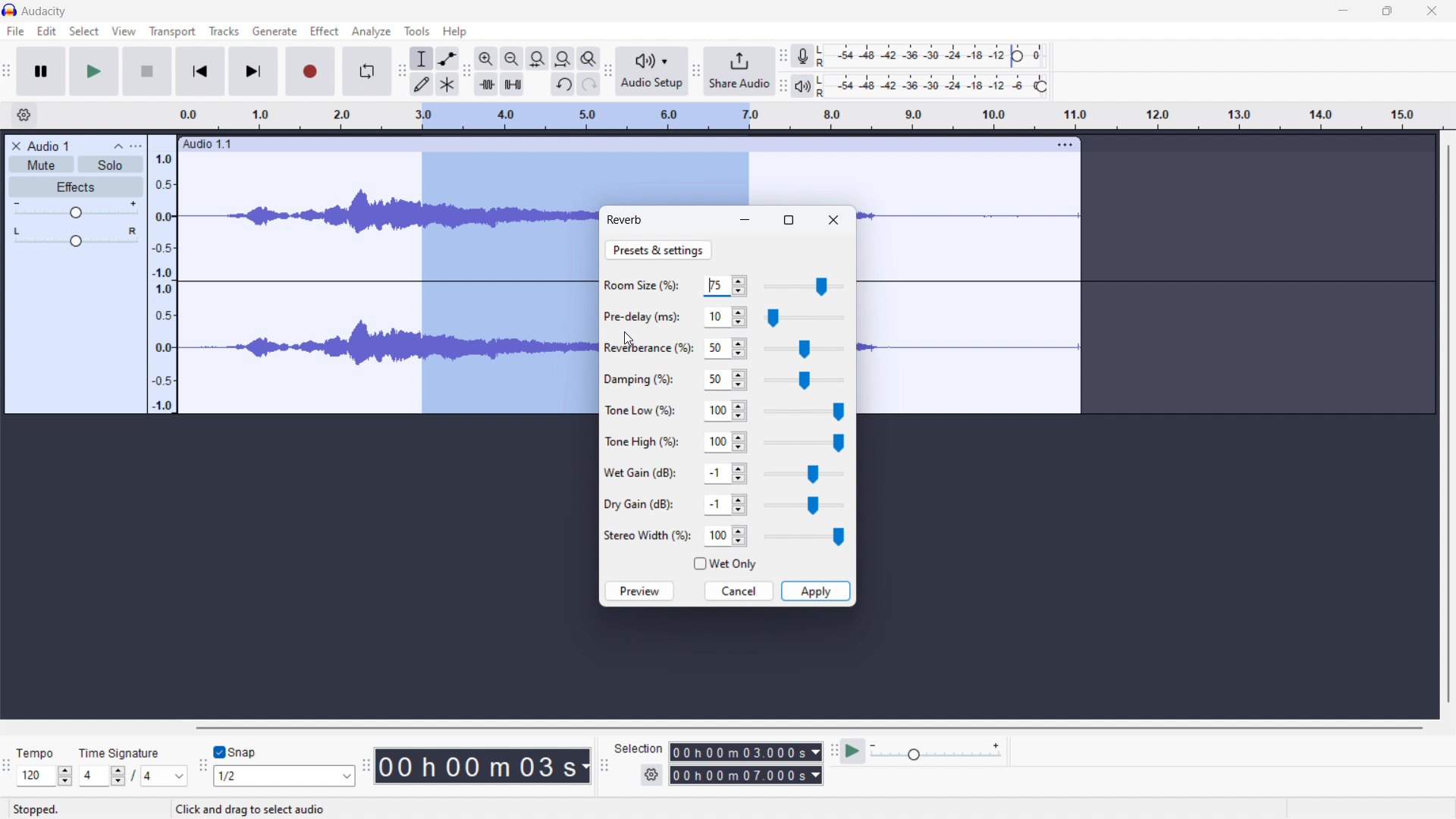 The height and width of the screenshot is (819, 1456). What do you see at coordinates (726, 379) in the screenshot?
I see `50` at bounding box center [726, 379].